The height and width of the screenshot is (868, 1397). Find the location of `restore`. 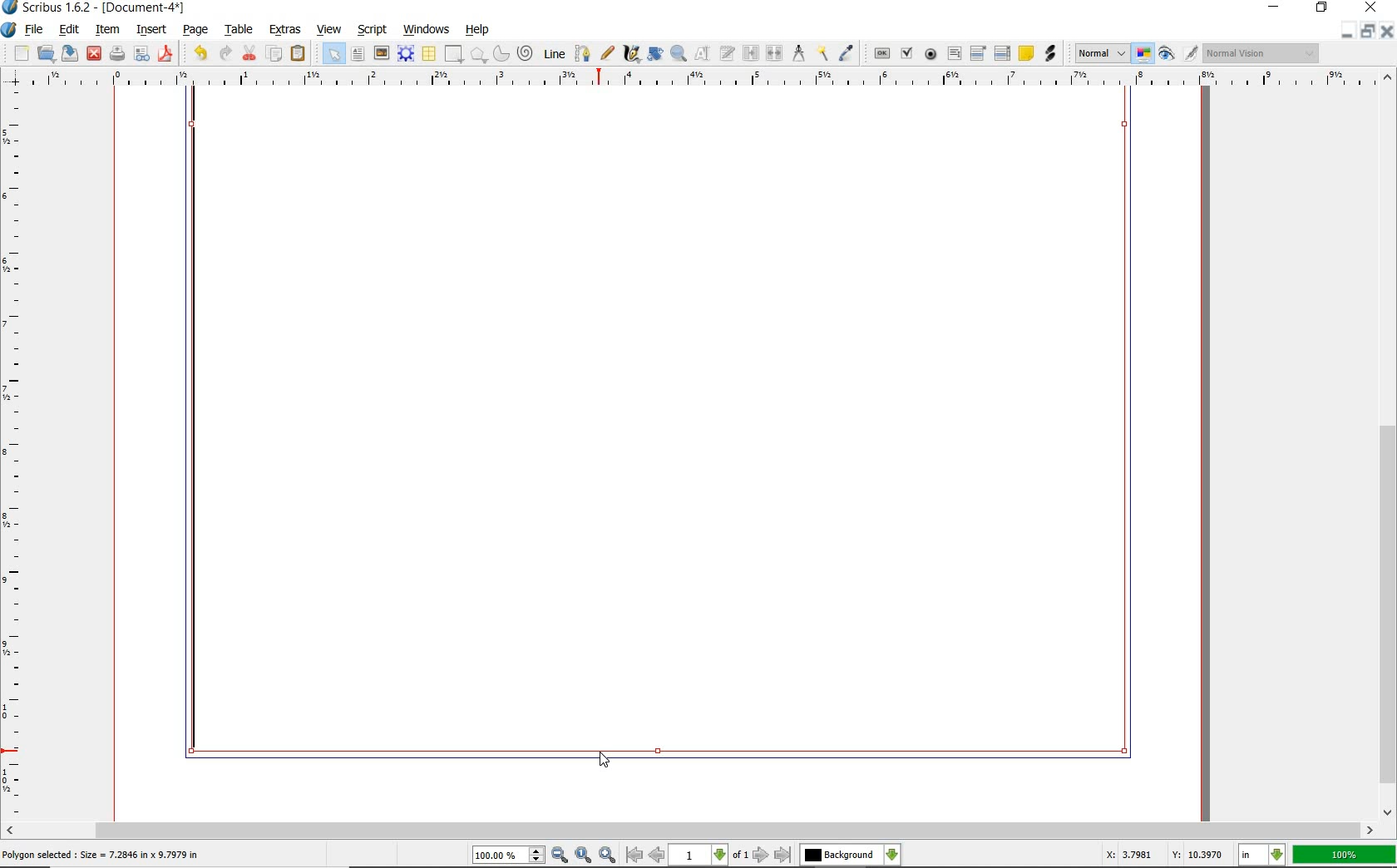

restore is located at coordinates (1368, 32).